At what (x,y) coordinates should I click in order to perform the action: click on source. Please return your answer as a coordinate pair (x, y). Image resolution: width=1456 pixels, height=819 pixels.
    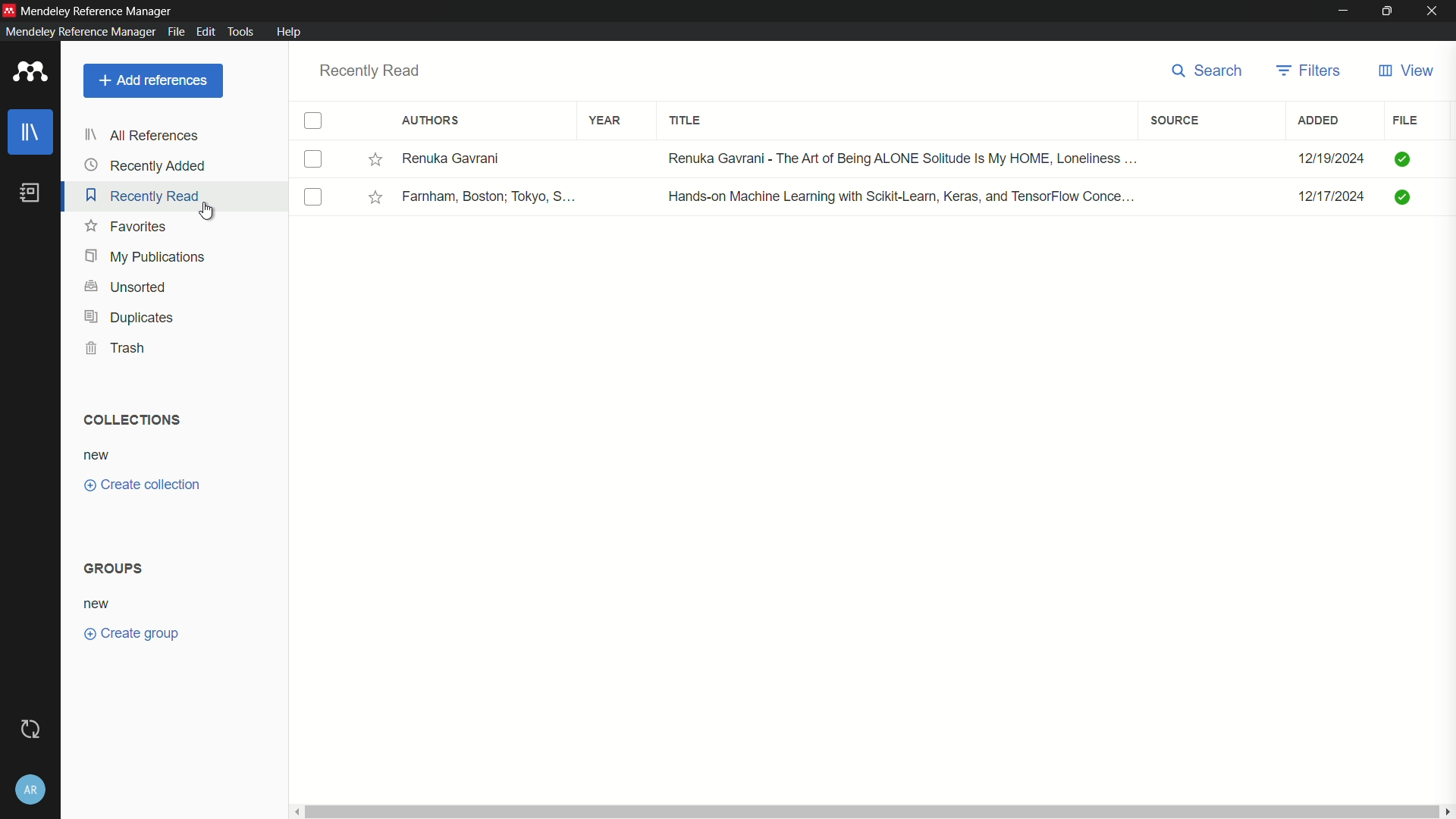
    Looking at the image, I should click on (1175, 121).